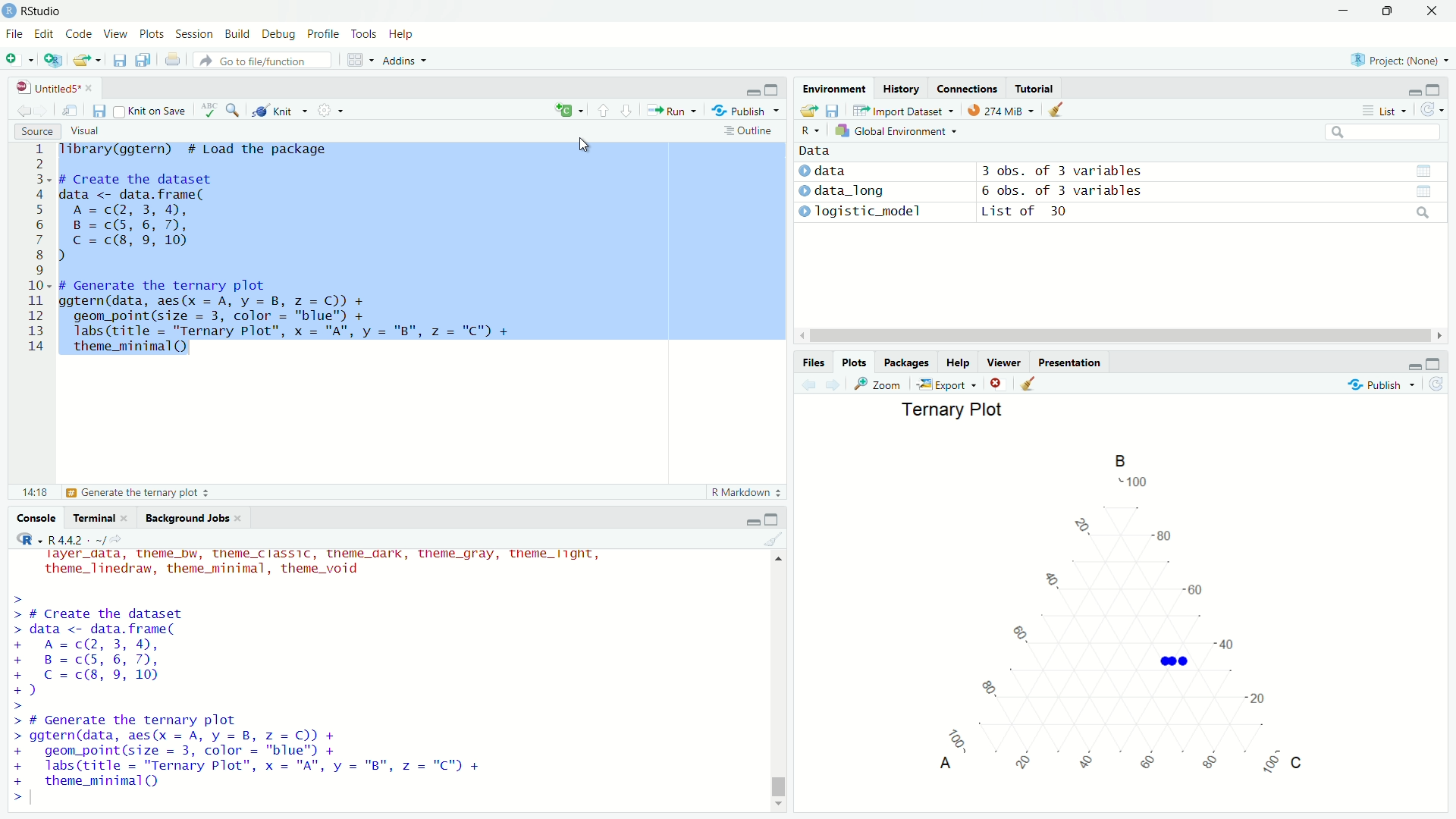 This screenshot has width=1456, height=819. What do you see at coordinates (1432, 365) in the screenshot?
I see `maximise` at bounding box center [1432, 365].